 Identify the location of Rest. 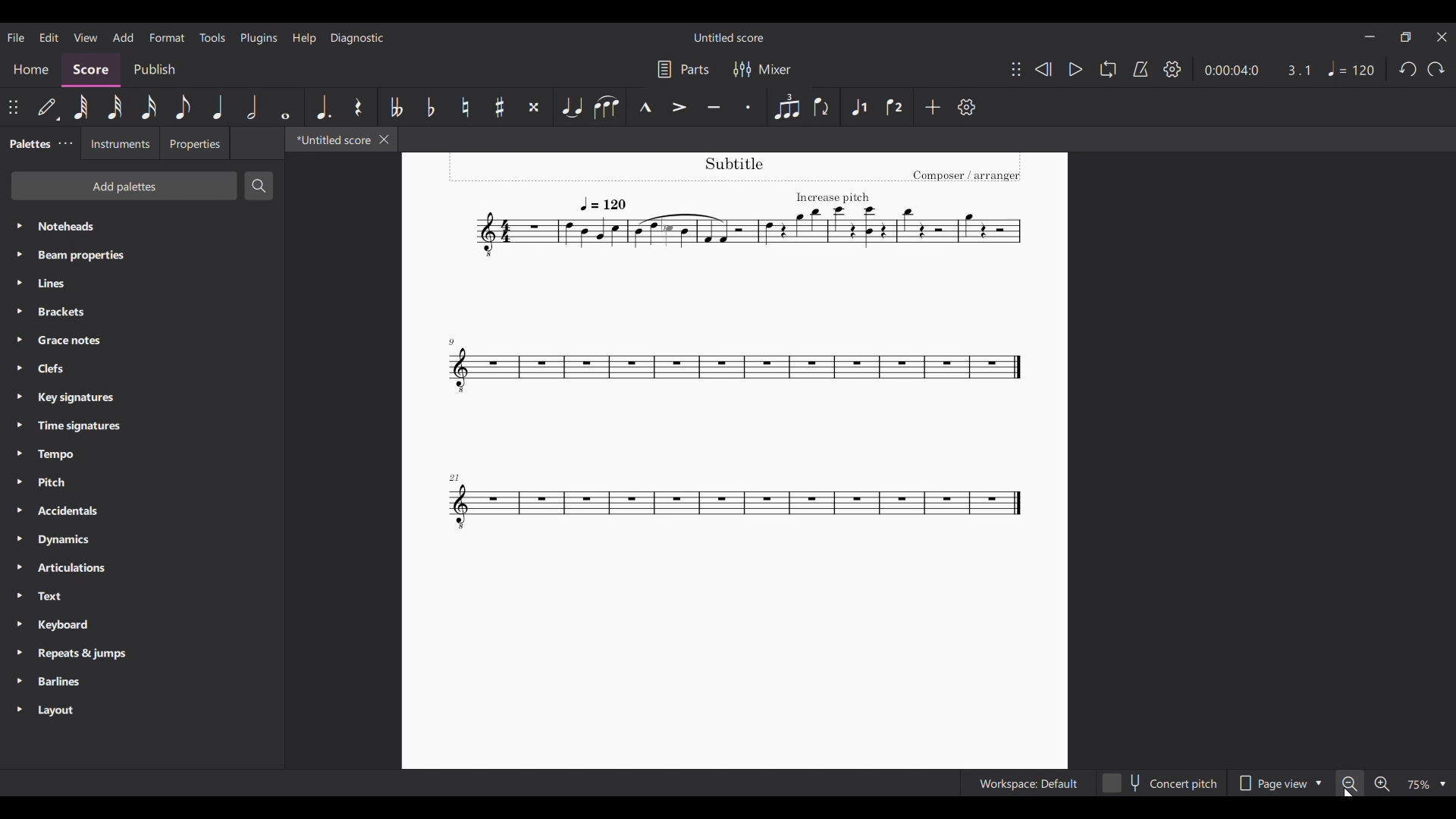
(358, 107).